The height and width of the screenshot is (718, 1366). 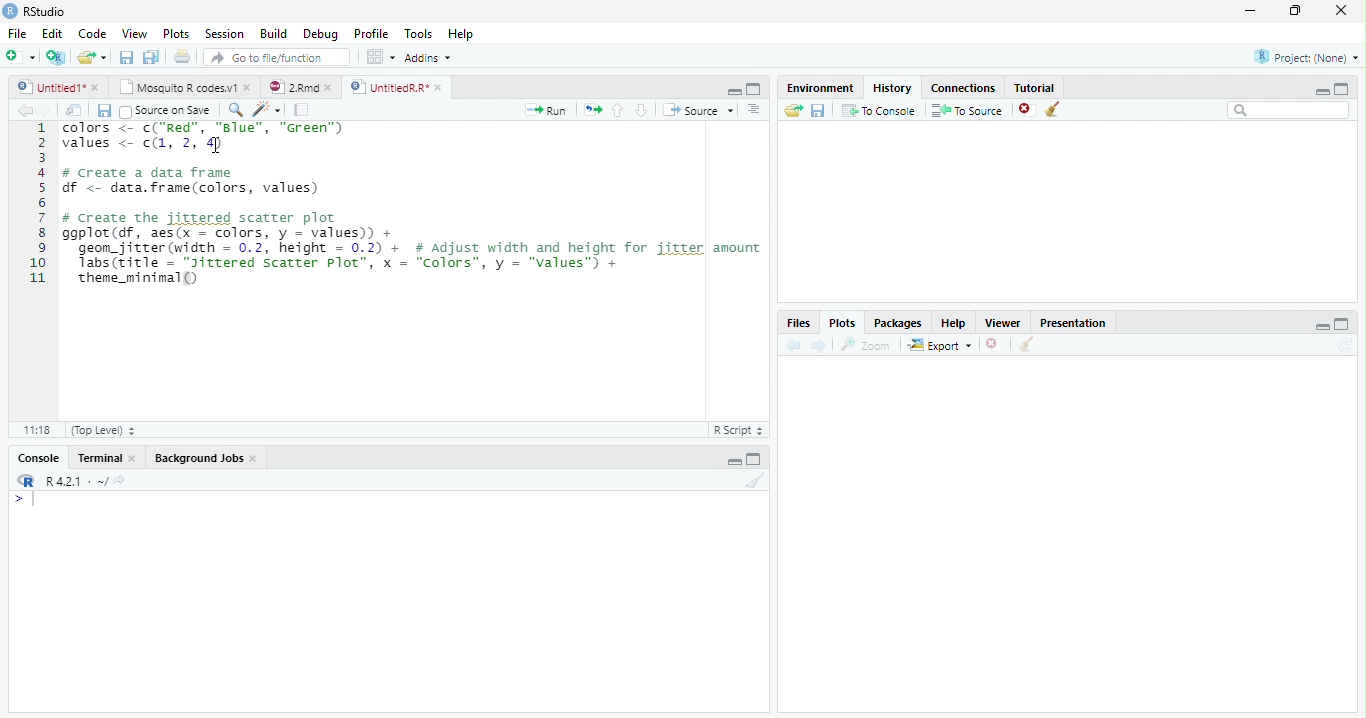 What do you see at coordinates (177, 33) in the screenshot?
I see `Plots` at bounding box center [177, 33].